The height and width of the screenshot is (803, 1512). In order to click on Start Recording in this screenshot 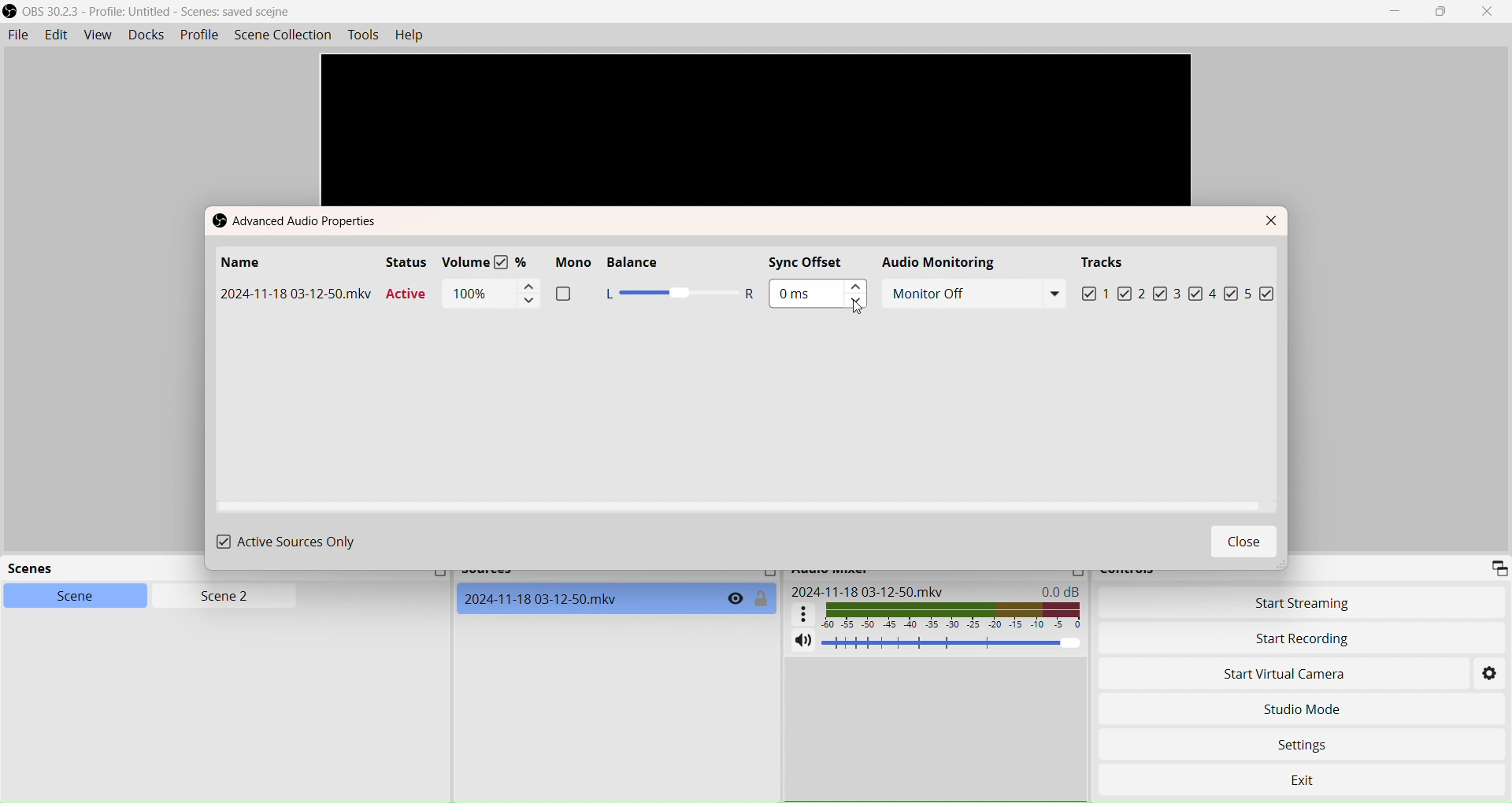, I will do `click(1303, 638)`.